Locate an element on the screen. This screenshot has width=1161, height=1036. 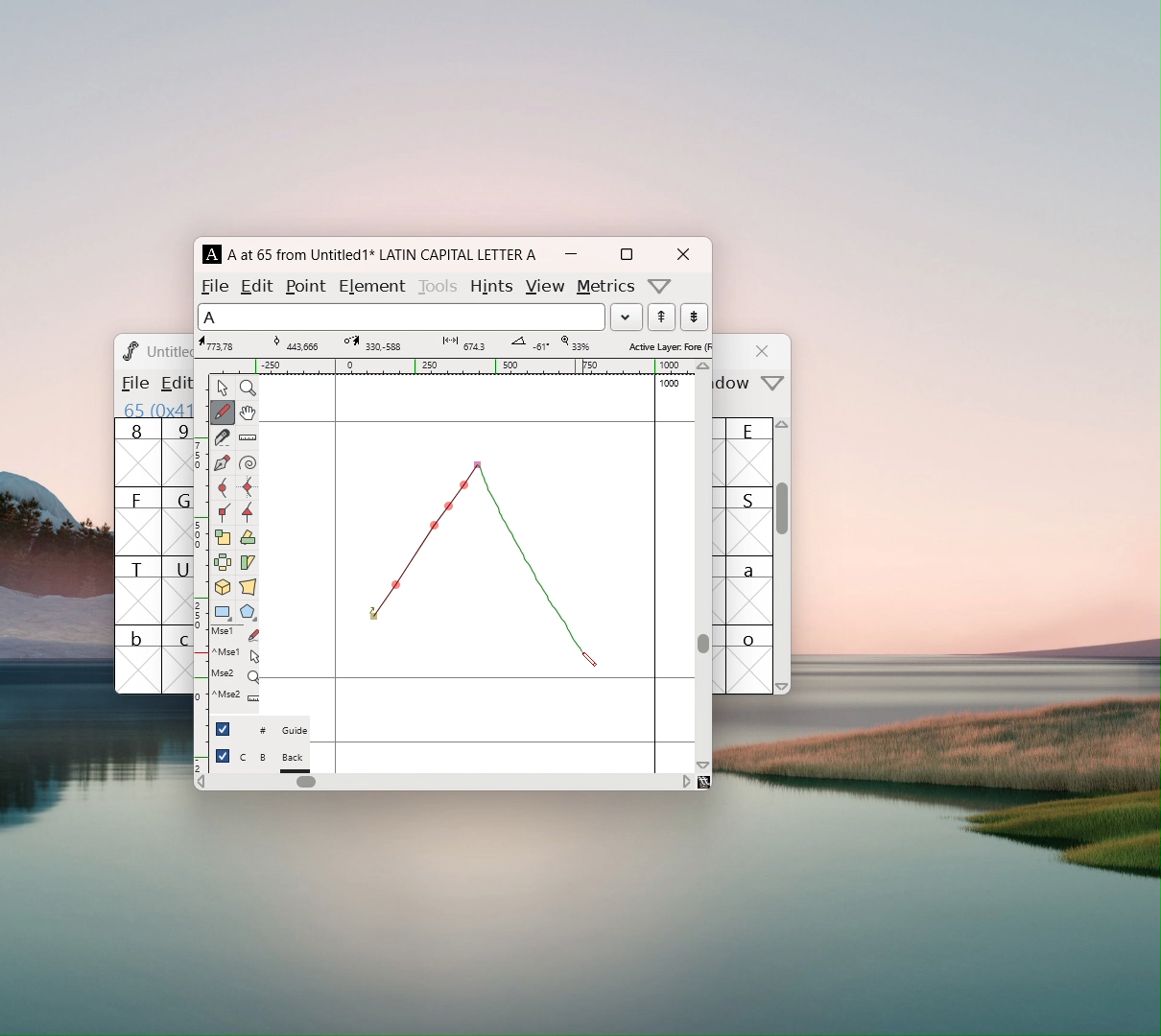
8 is located at coordinates (137, 453).